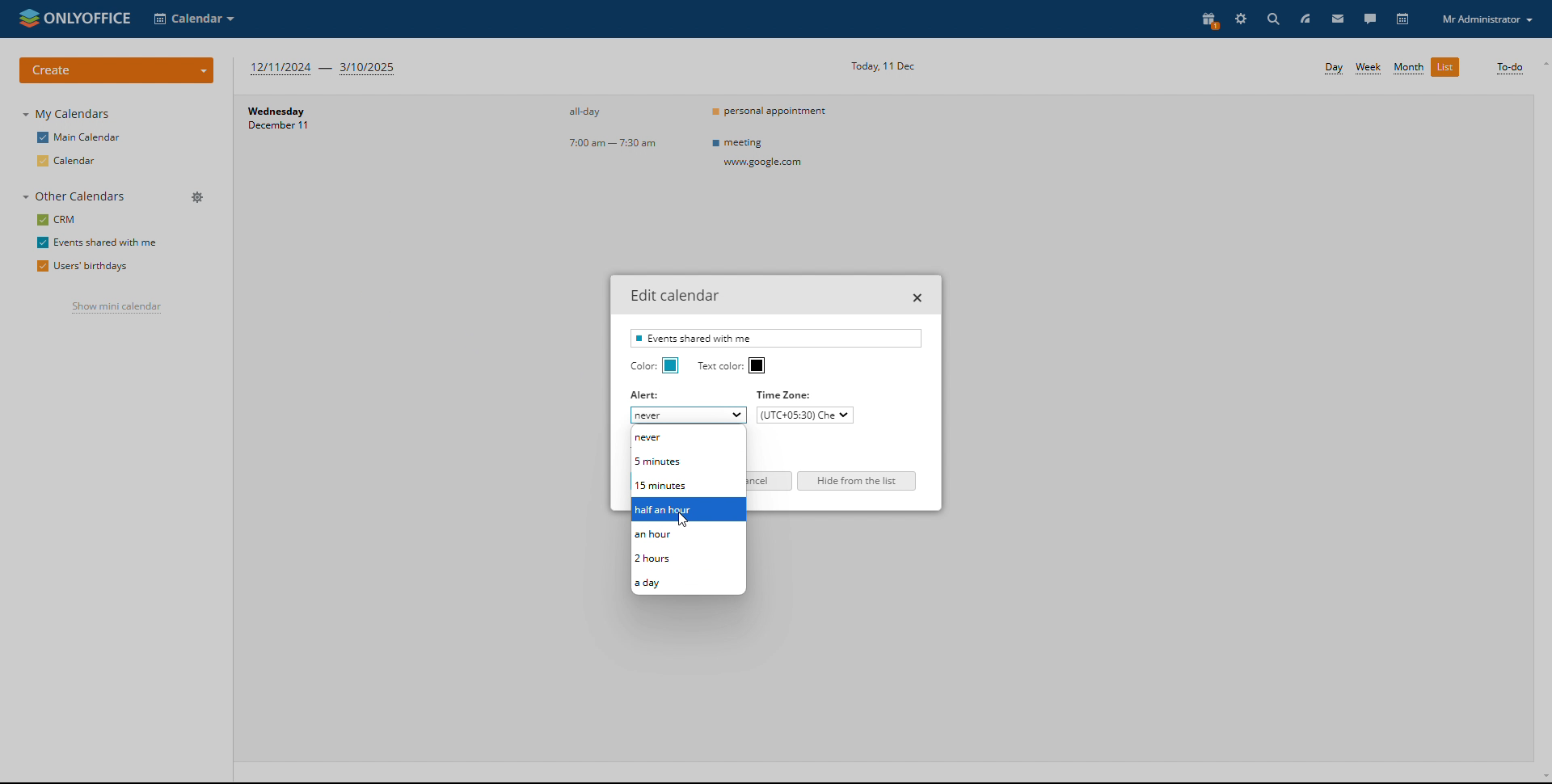  I want to click on mail, so click(1337, 18).